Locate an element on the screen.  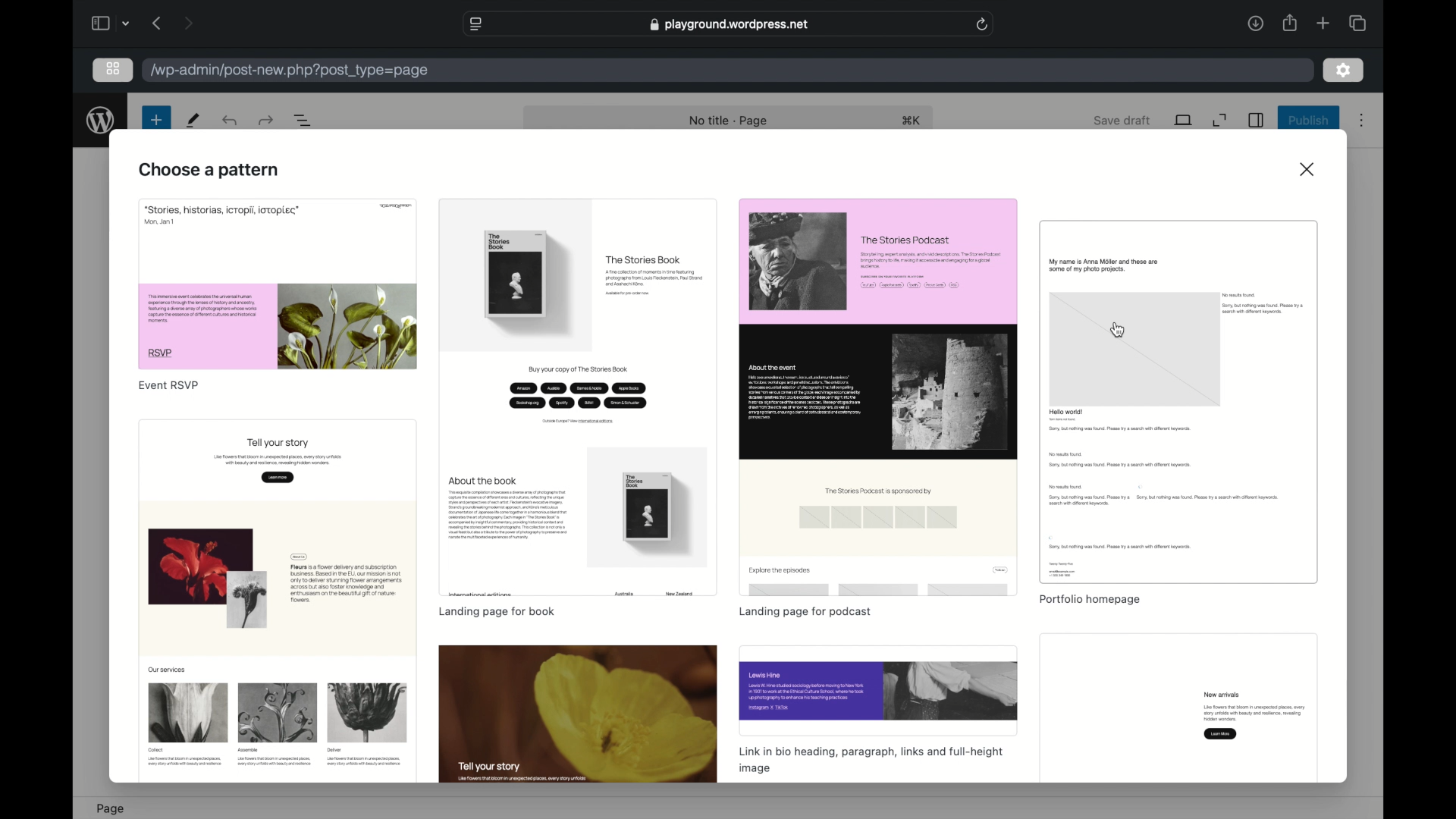
publish is located at coordinates (1307, 121).